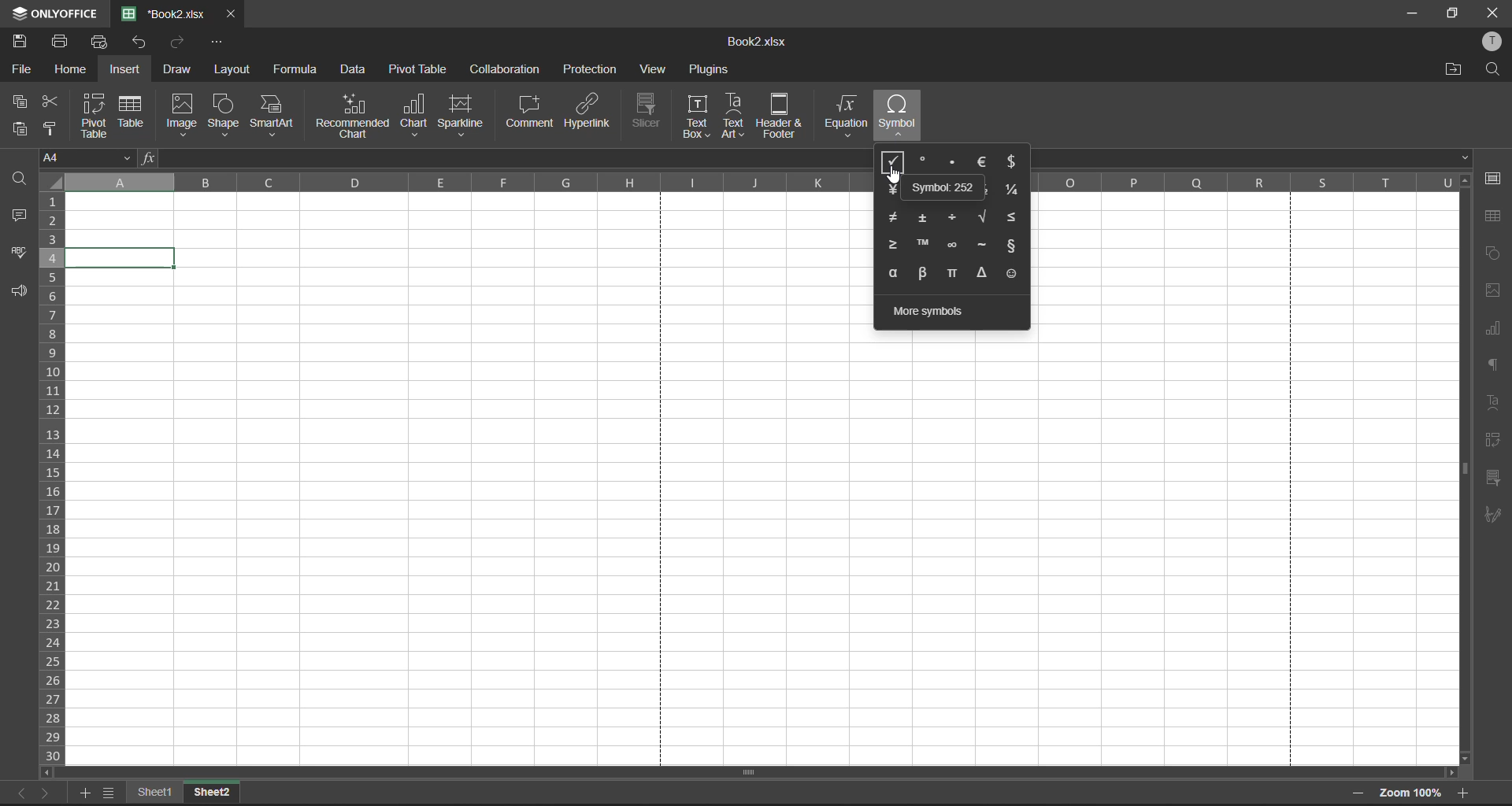  I want to click on copy, so click(20, 102).